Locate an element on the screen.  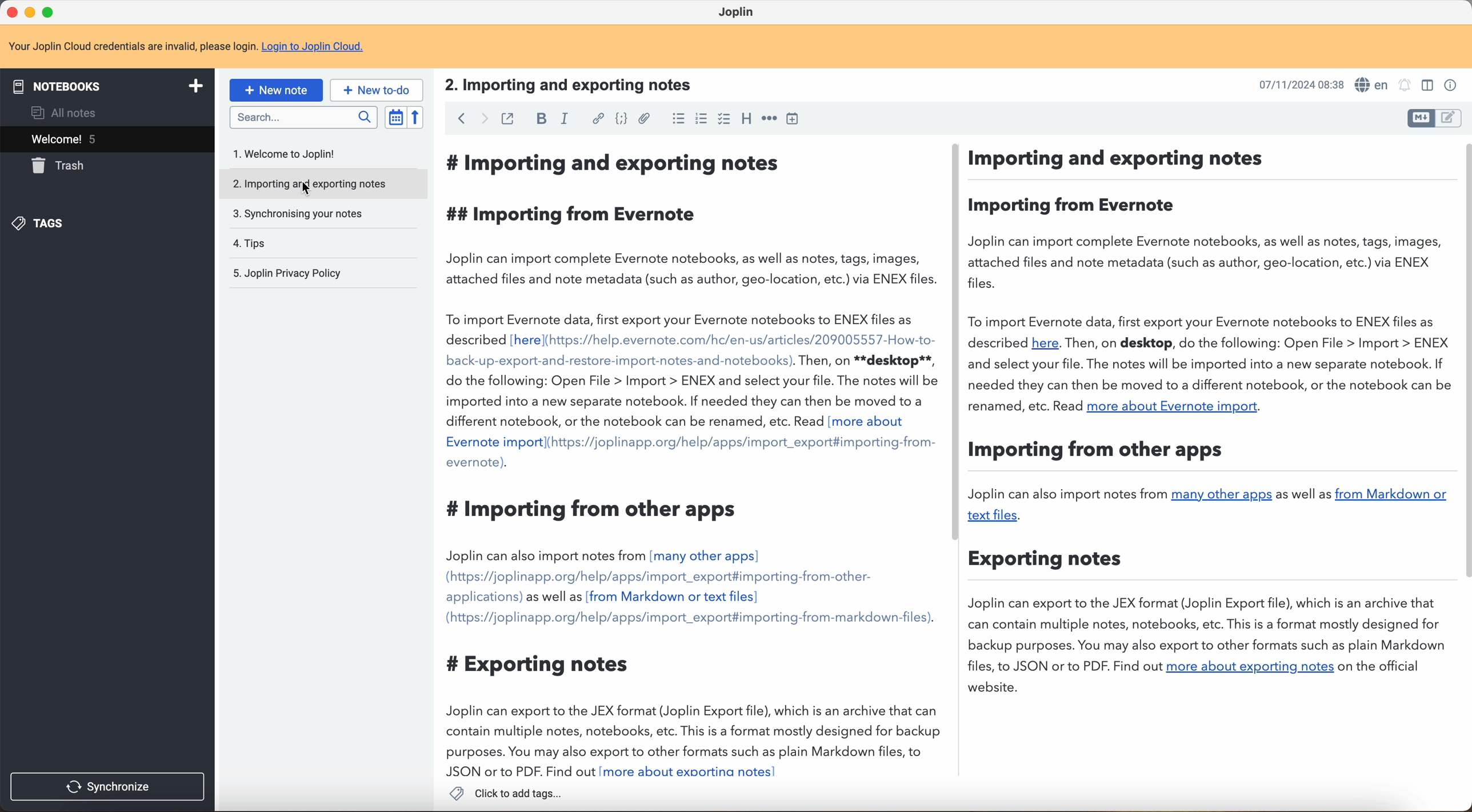
italic is located at coordinates (566, 119).